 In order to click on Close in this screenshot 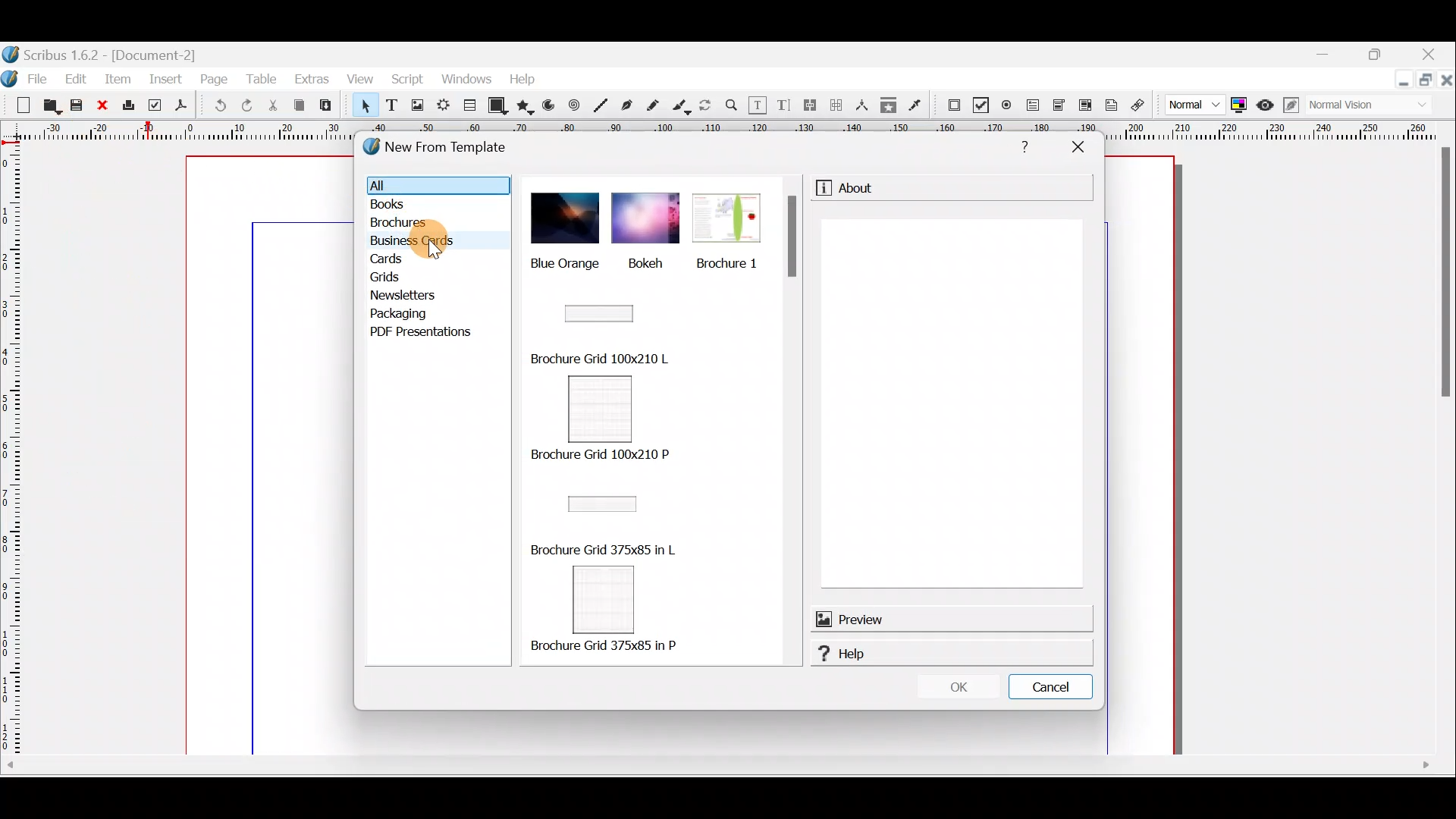, I will do `click(1436, 52)`.